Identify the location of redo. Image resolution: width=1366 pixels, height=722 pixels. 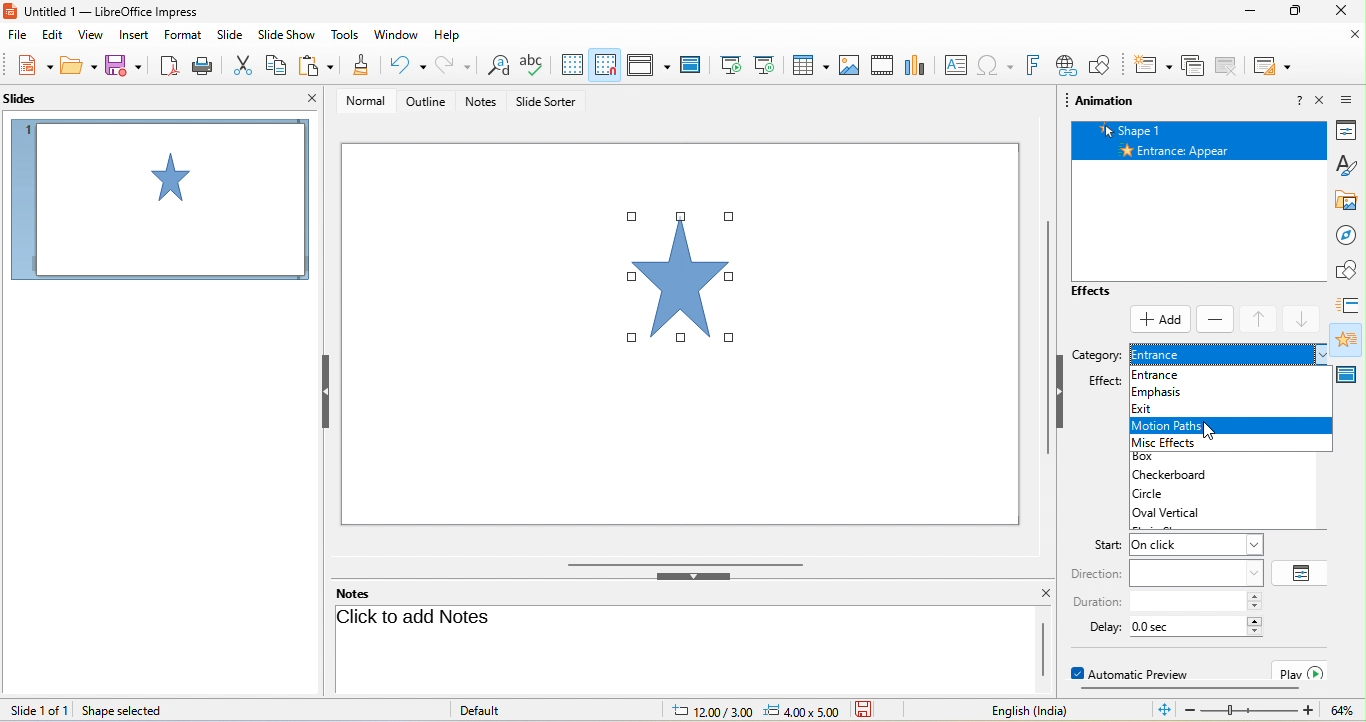
(451, 65).